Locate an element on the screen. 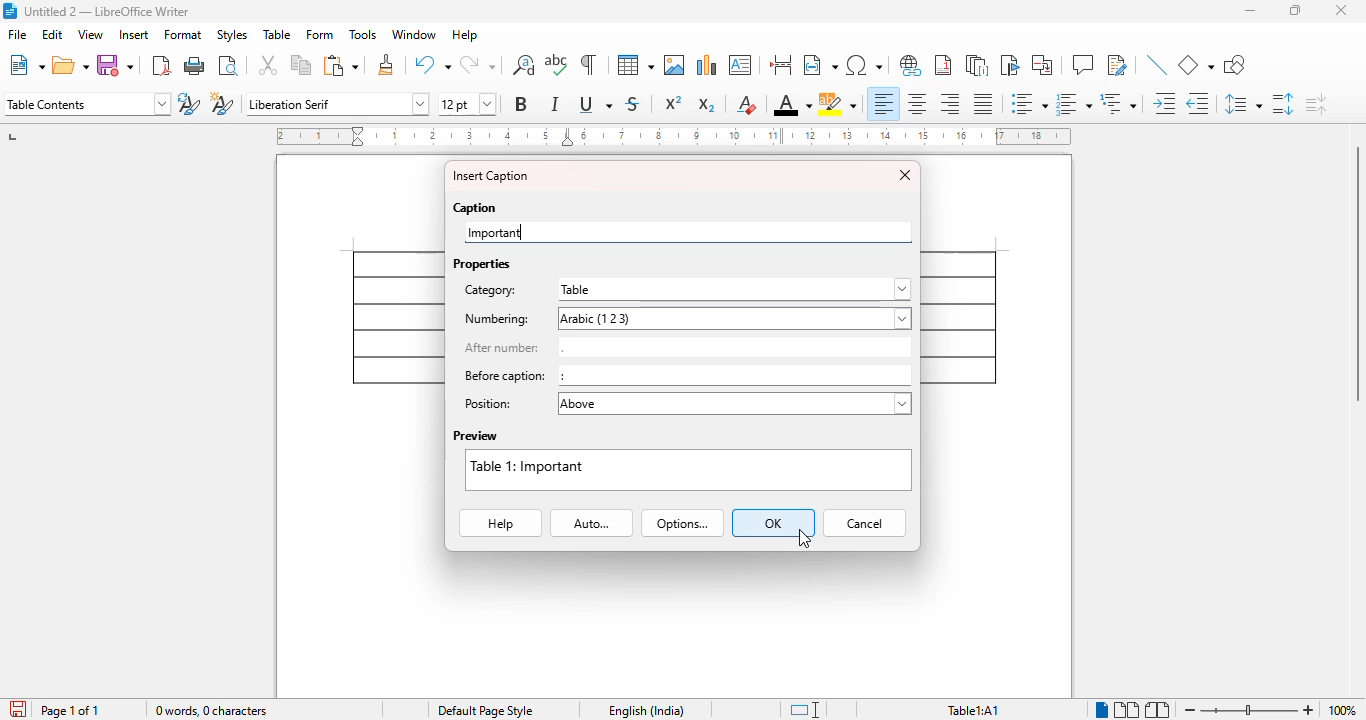 This screenshot has height=720, width=1366. numbering: arabic (1, 2, 3) is located at coordinates (686, 318).